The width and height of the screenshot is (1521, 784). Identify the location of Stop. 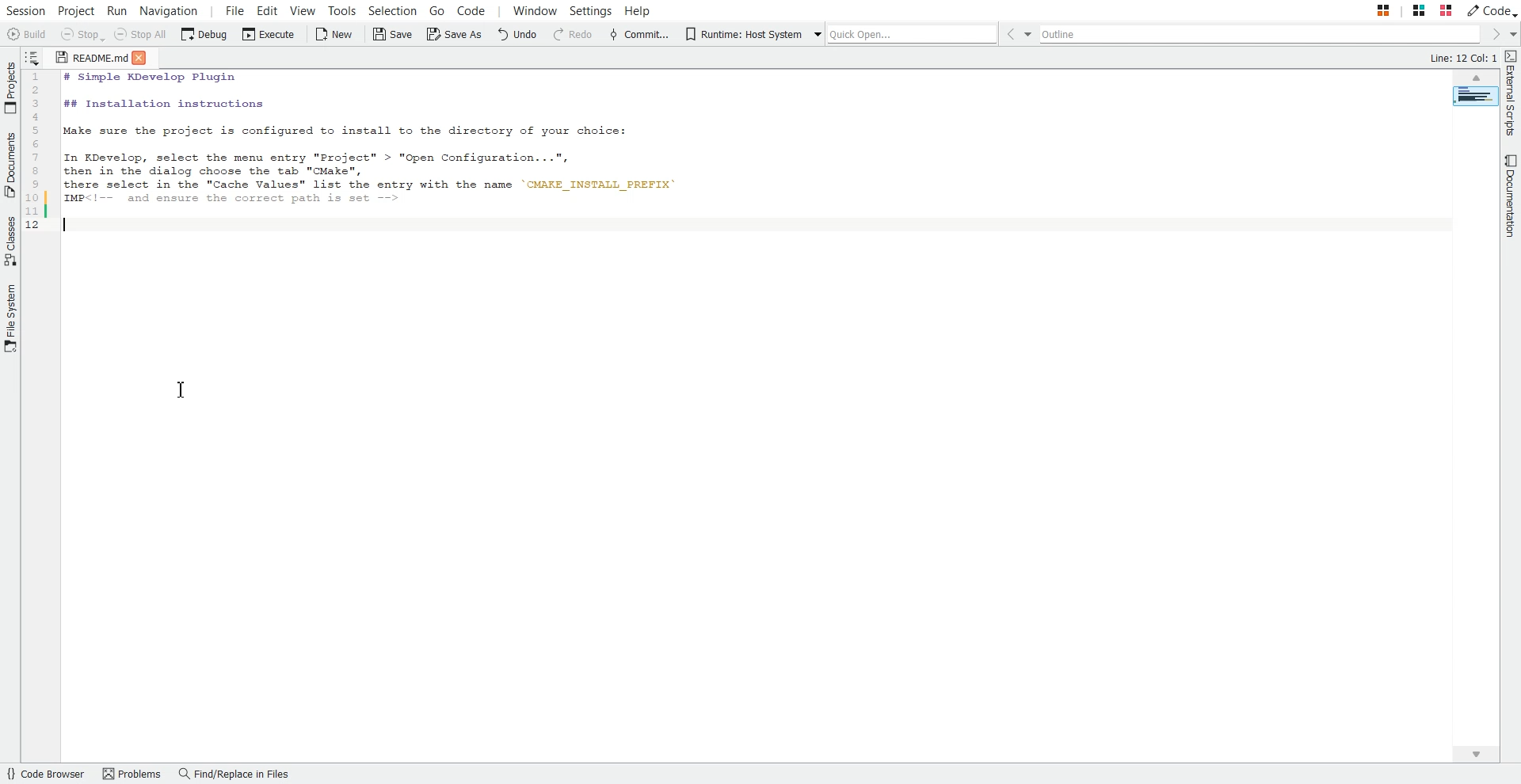
(82, 35).